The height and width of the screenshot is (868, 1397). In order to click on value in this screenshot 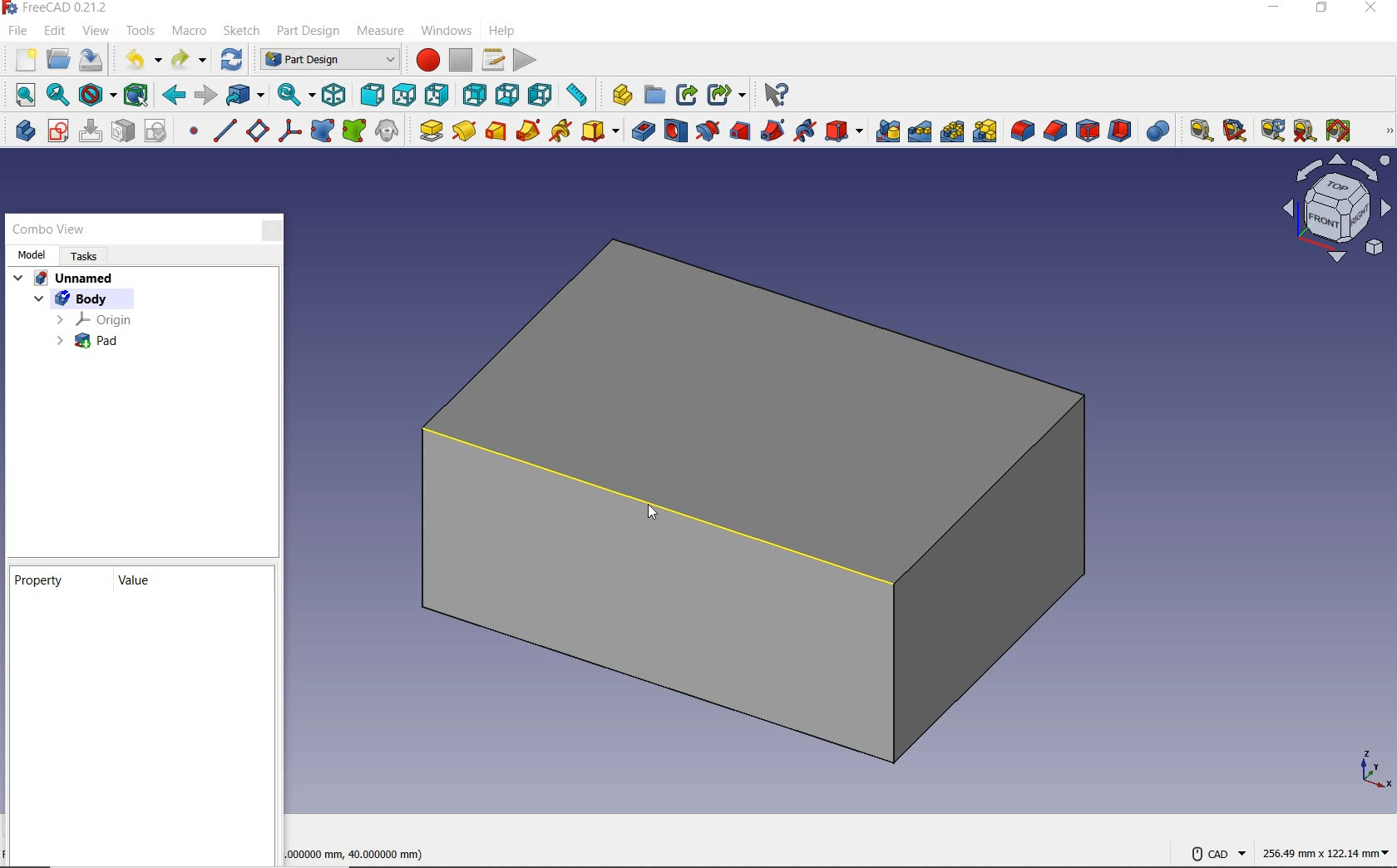, I will do `click(144, 581)`.